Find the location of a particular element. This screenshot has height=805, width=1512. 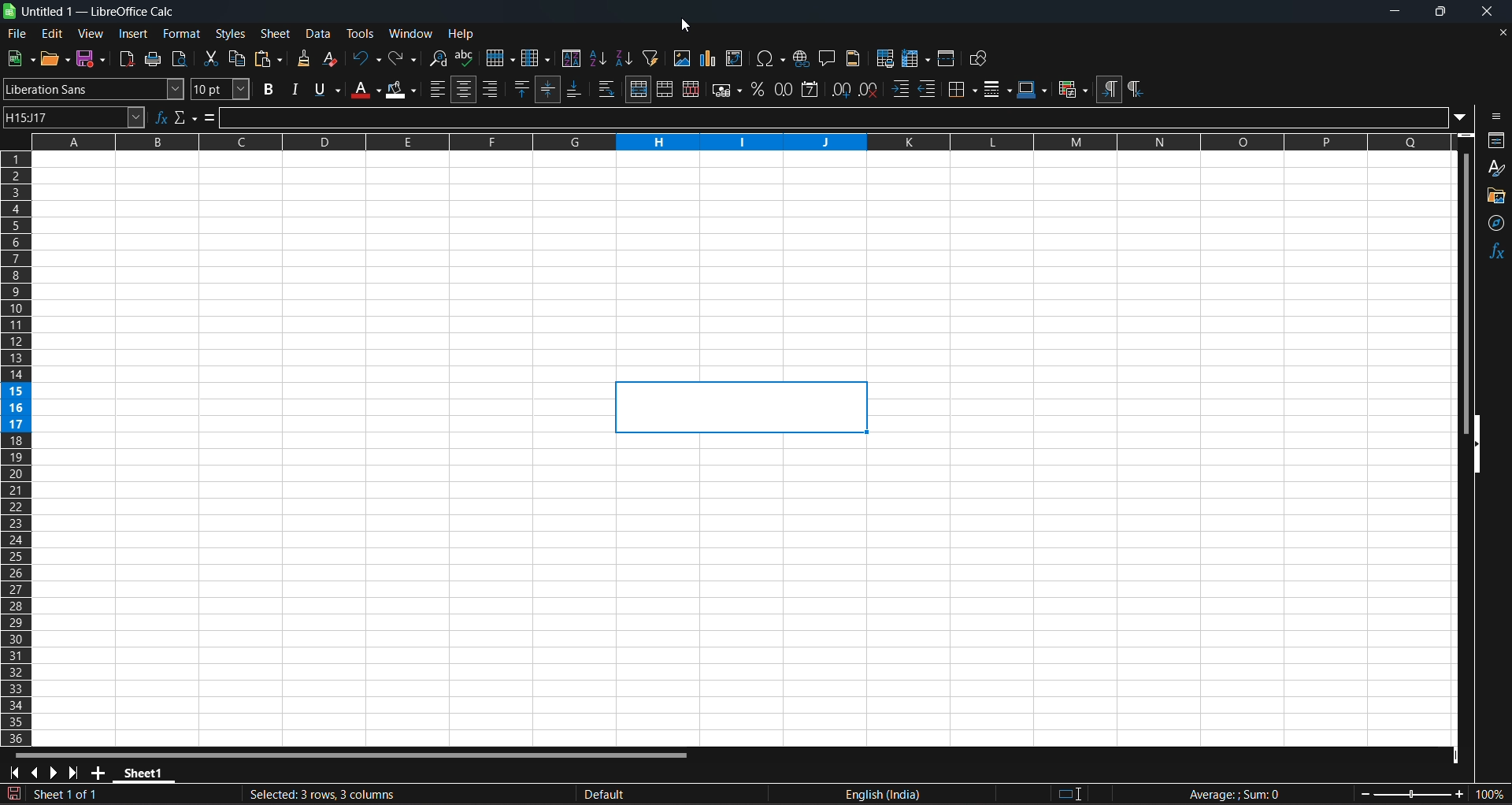

print is located at coordinates (154, 58).